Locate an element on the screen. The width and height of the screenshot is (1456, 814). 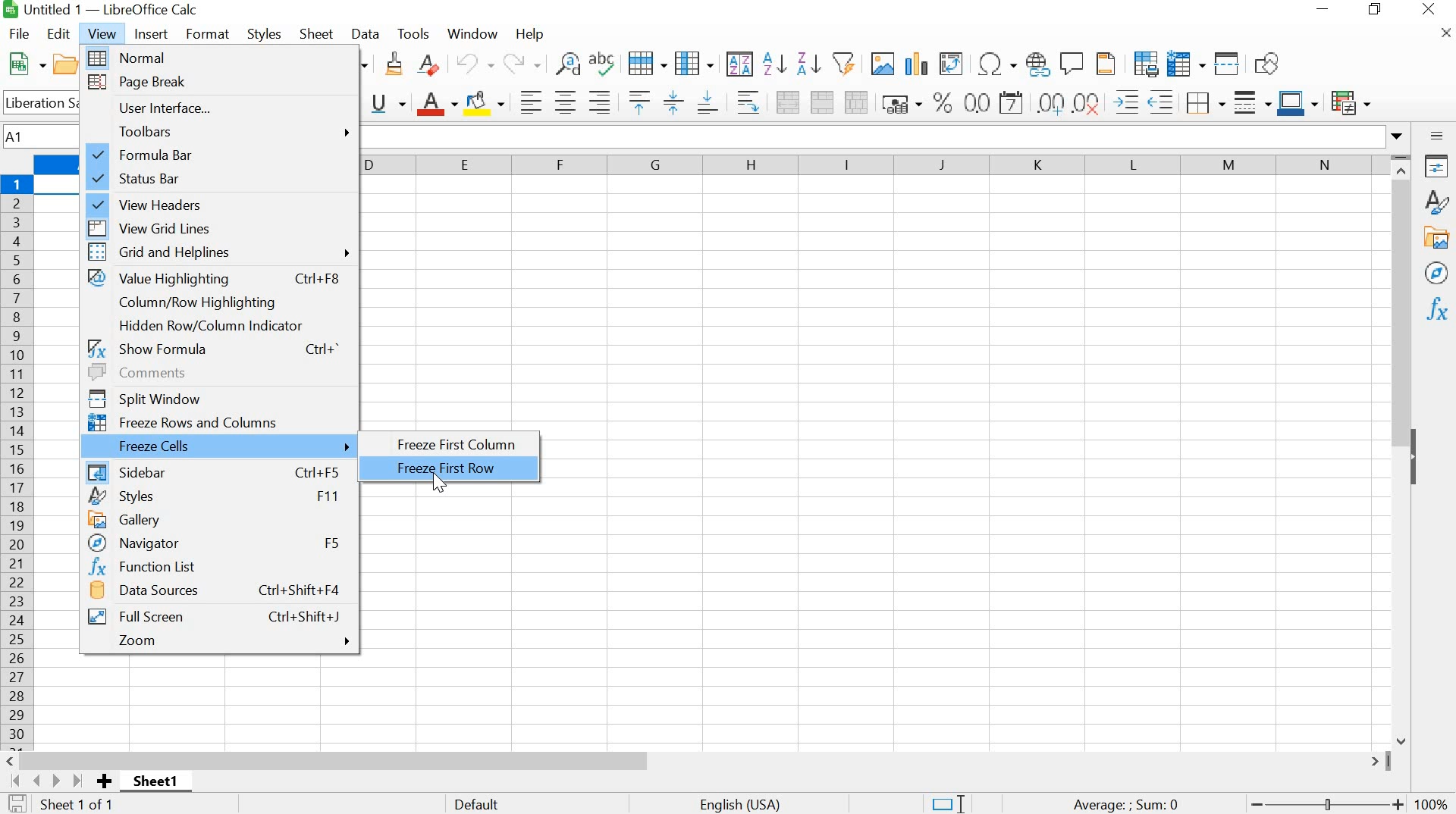
UNDO is located at coordinates (476, 64).